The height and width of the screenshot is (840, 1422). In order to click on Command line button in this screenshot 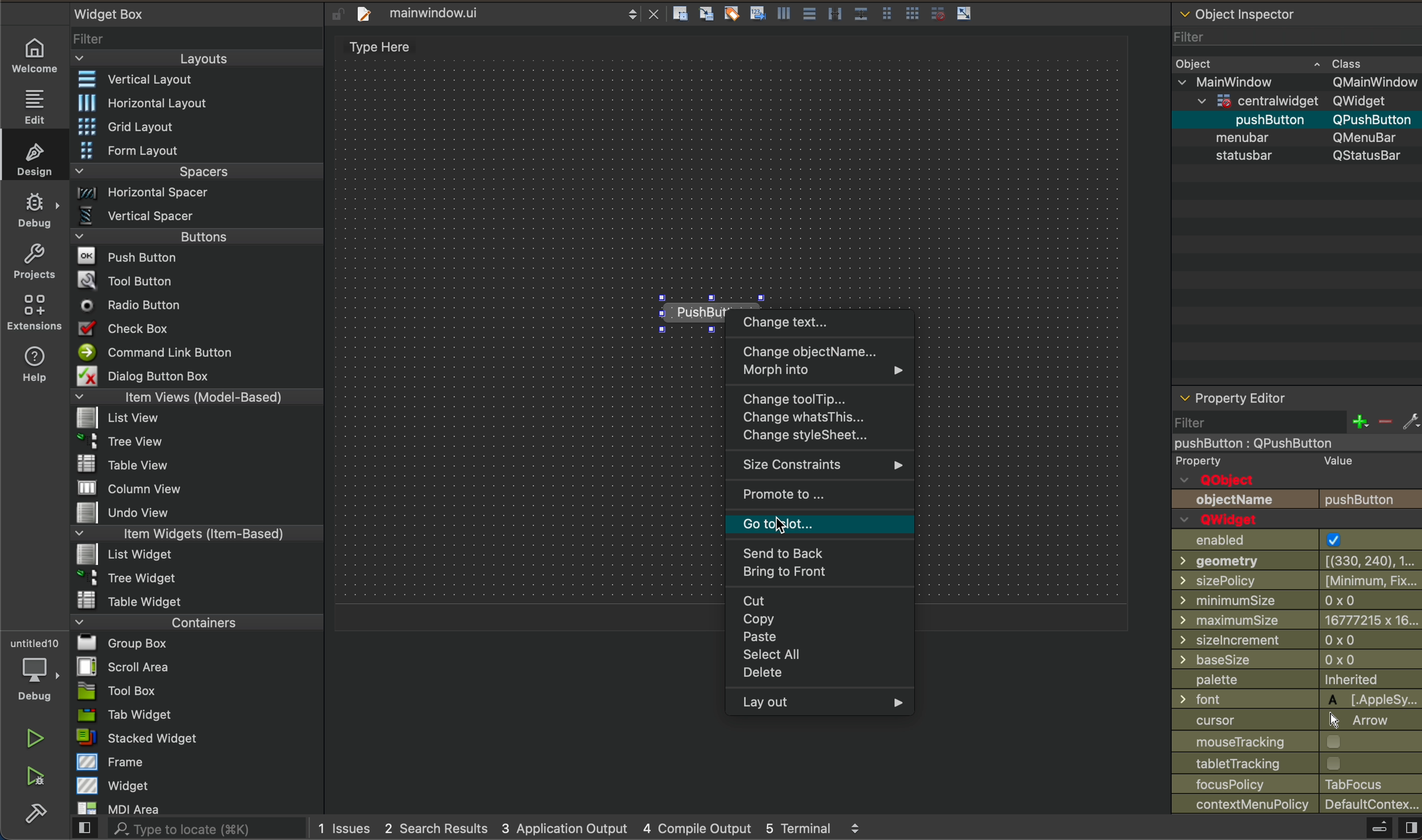, I will do `click(197, 352)`.